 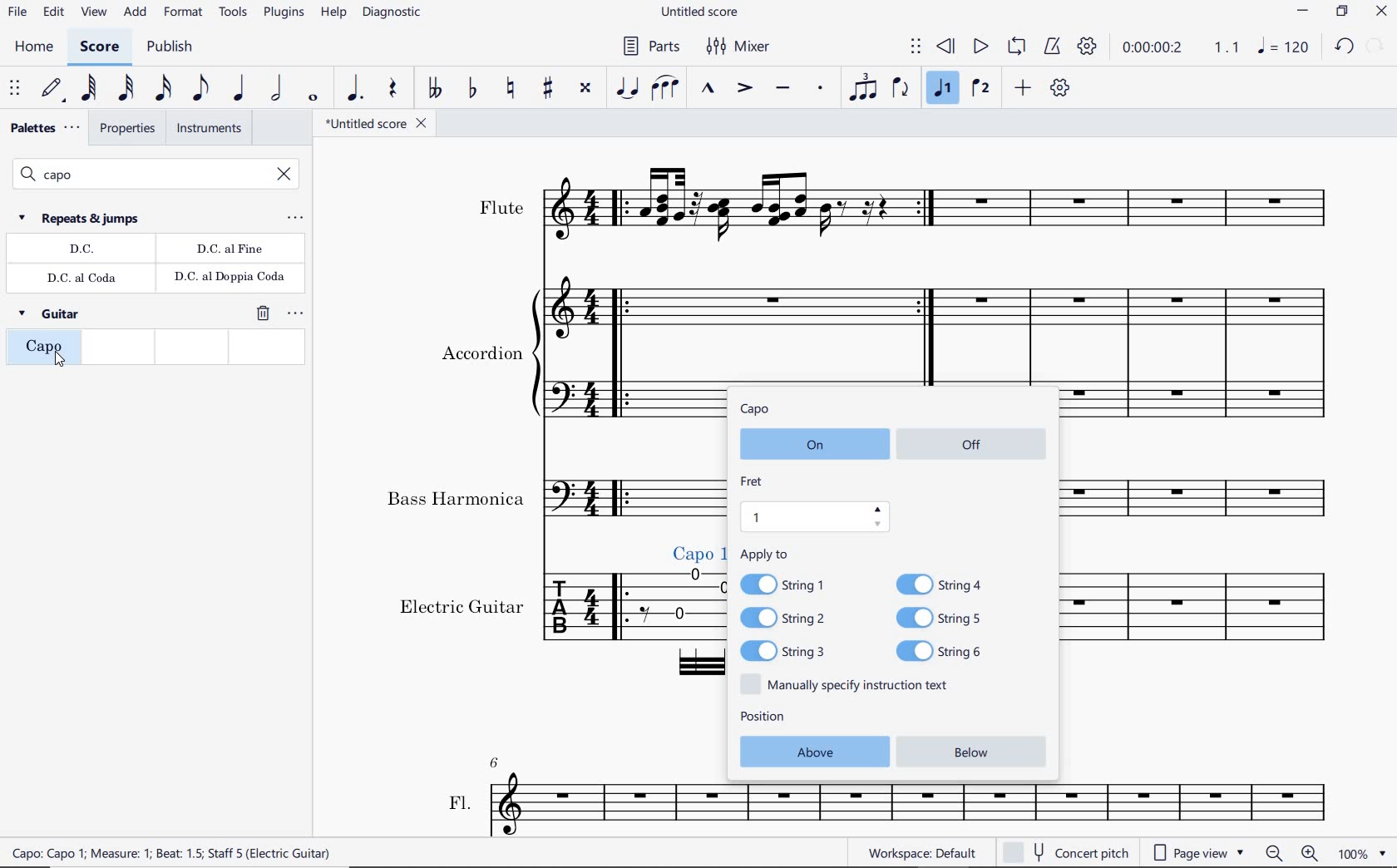 I want to click on above, so click(x=812, y=751).